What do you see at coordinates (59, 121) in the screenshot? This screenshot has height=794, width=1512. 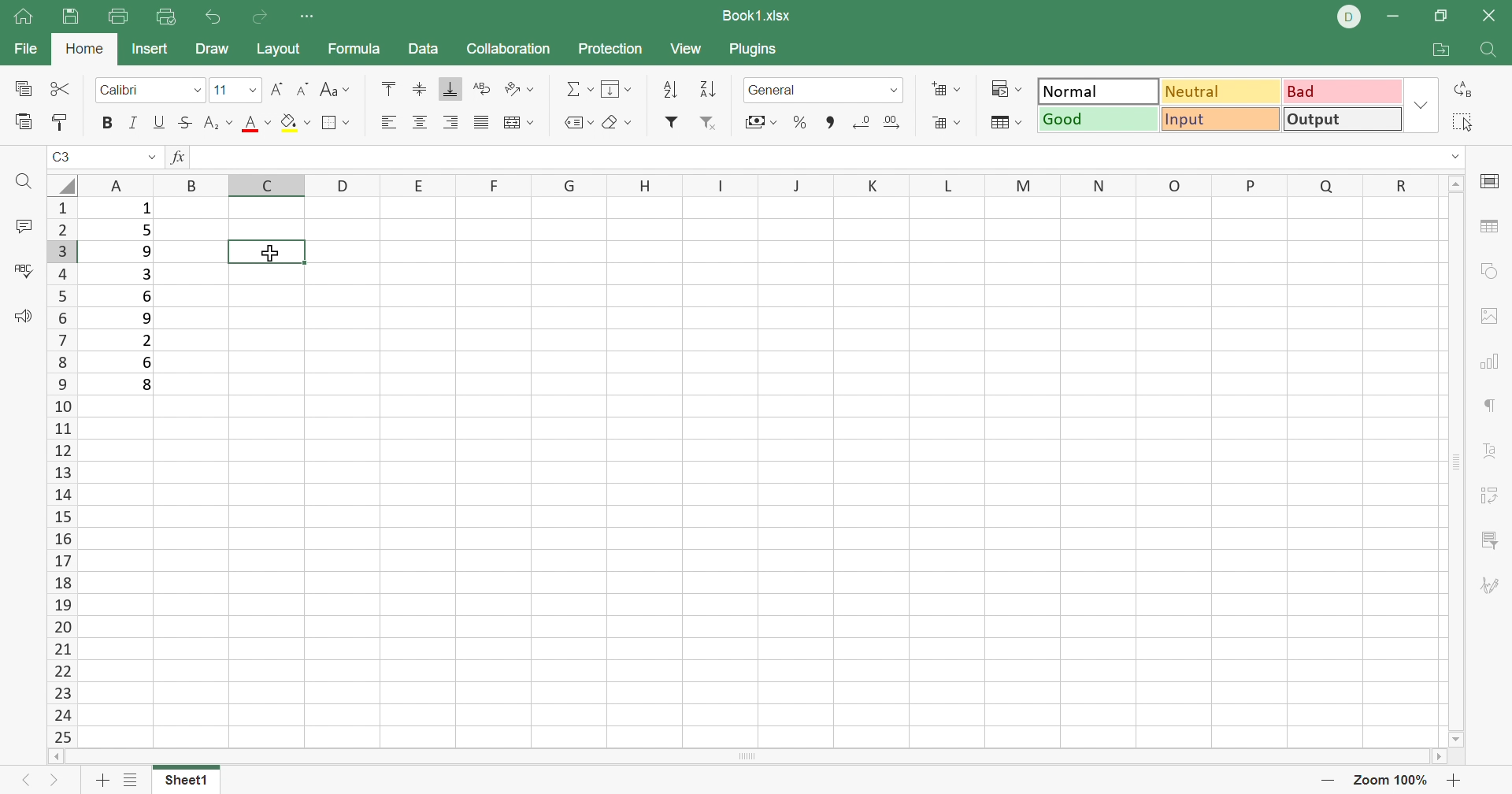 I see `Copy style` at bounding box center [59, 121].